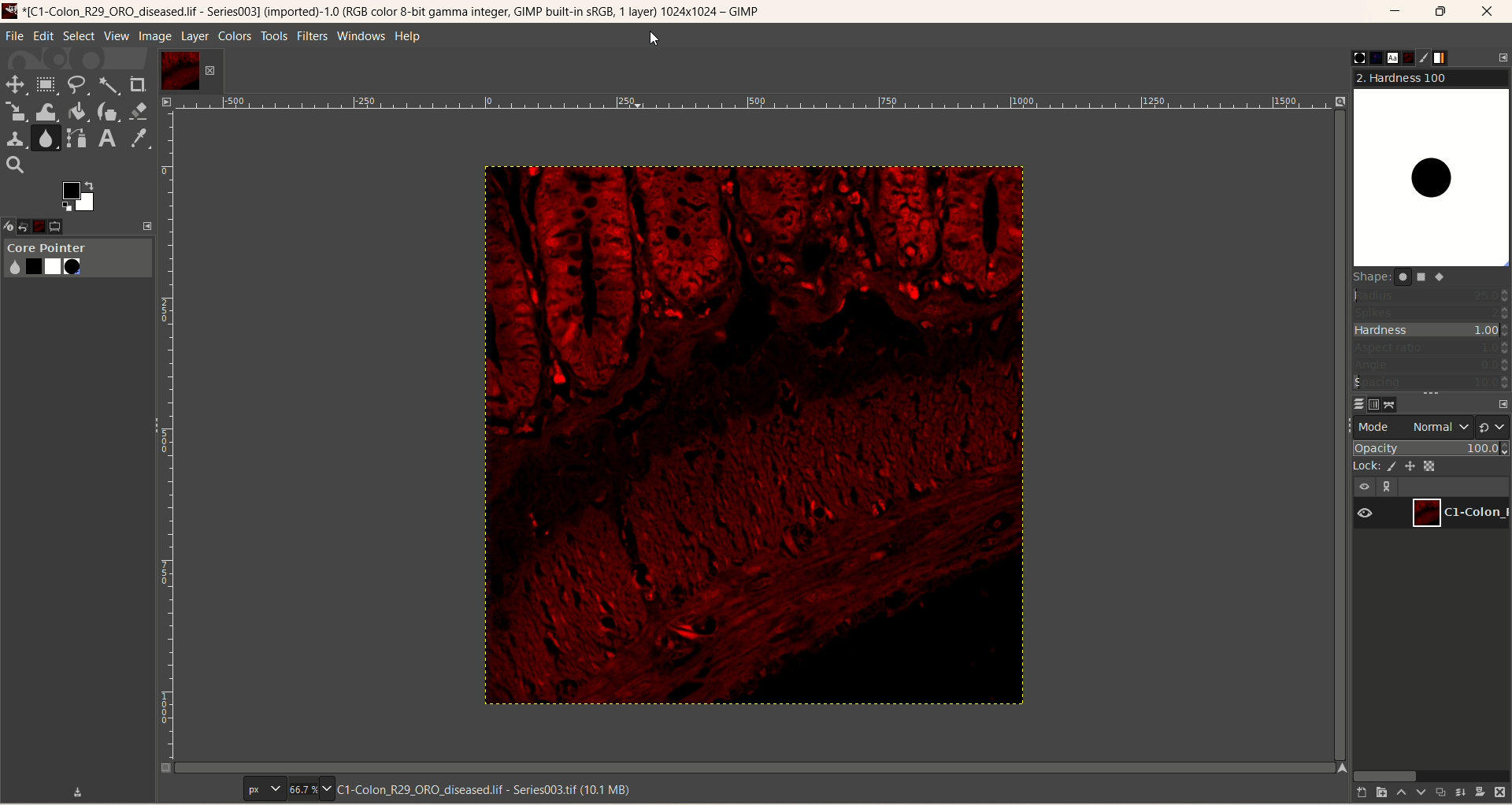 This screenshot has height=805, width=1512. Describe the element at coordinates (1366, 57) in the screenshot. I see `pattern` at that location.